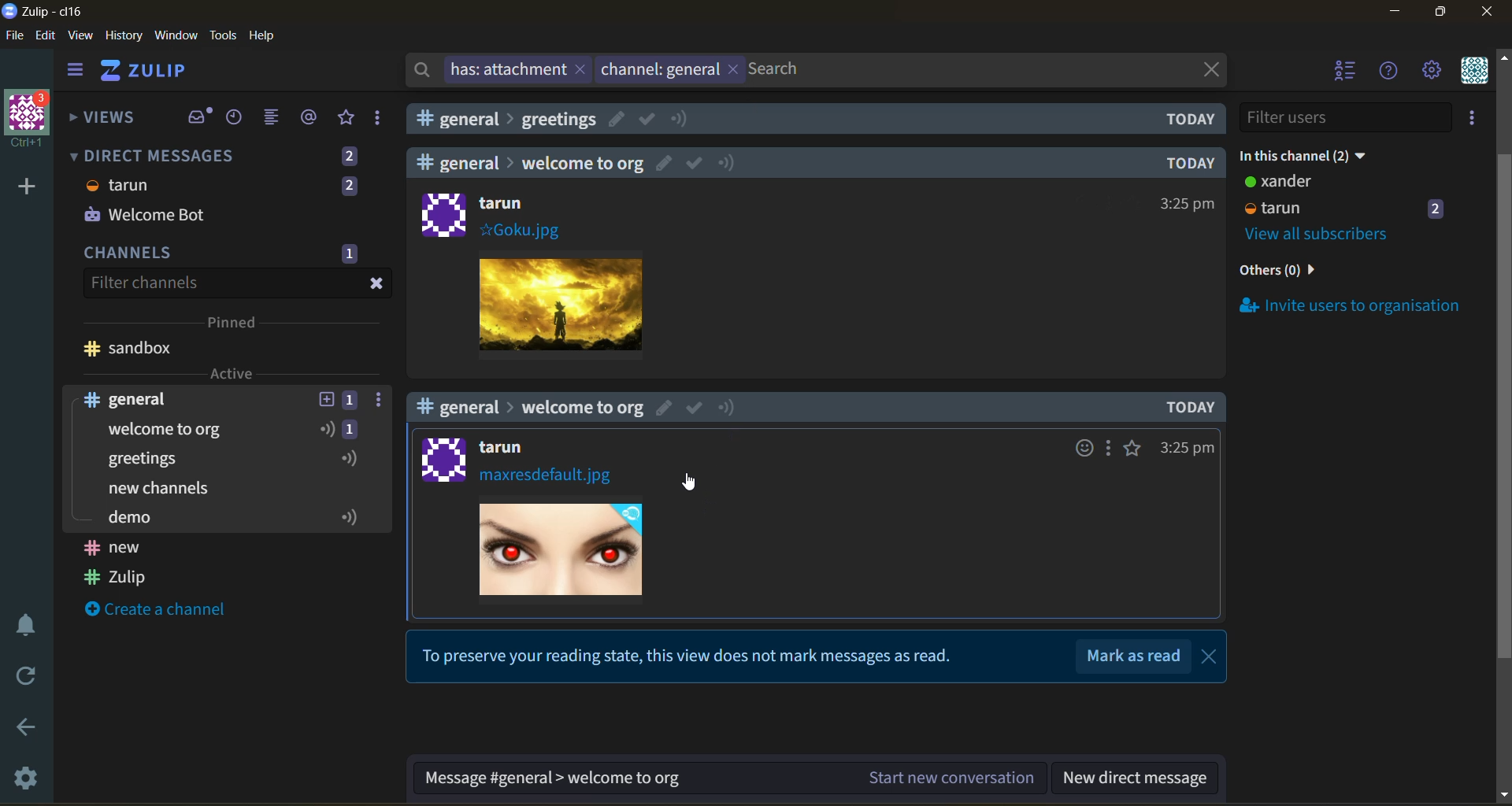  I want to click on maxresdefault.jpg, so click(547, 476).